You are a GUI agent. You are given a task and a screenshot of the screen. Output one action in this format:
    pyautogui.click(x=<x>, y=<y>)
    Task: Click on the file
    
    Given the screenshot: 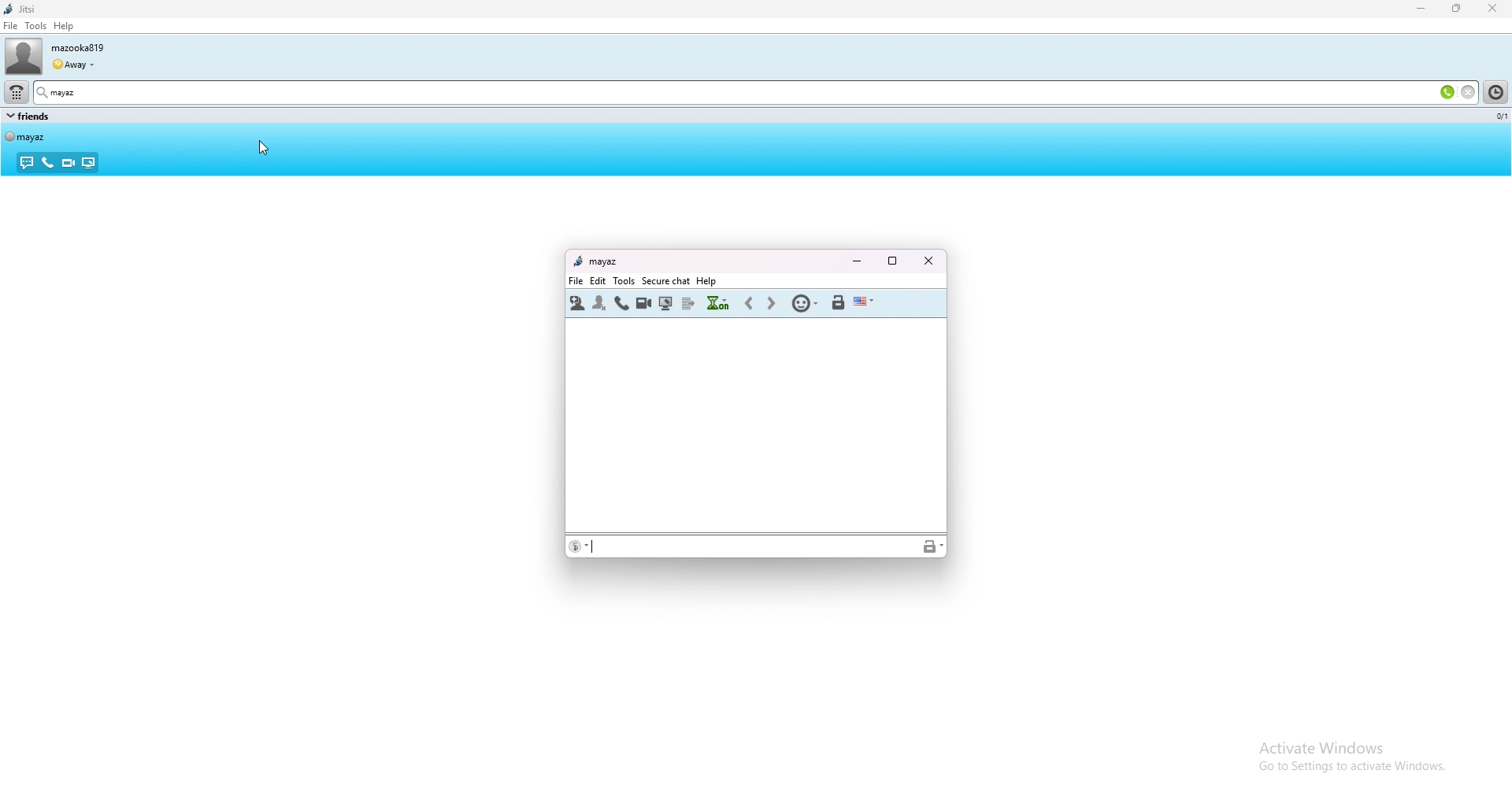 What is the action you would take?
    pyautogui.click(x=10, y=26)
    